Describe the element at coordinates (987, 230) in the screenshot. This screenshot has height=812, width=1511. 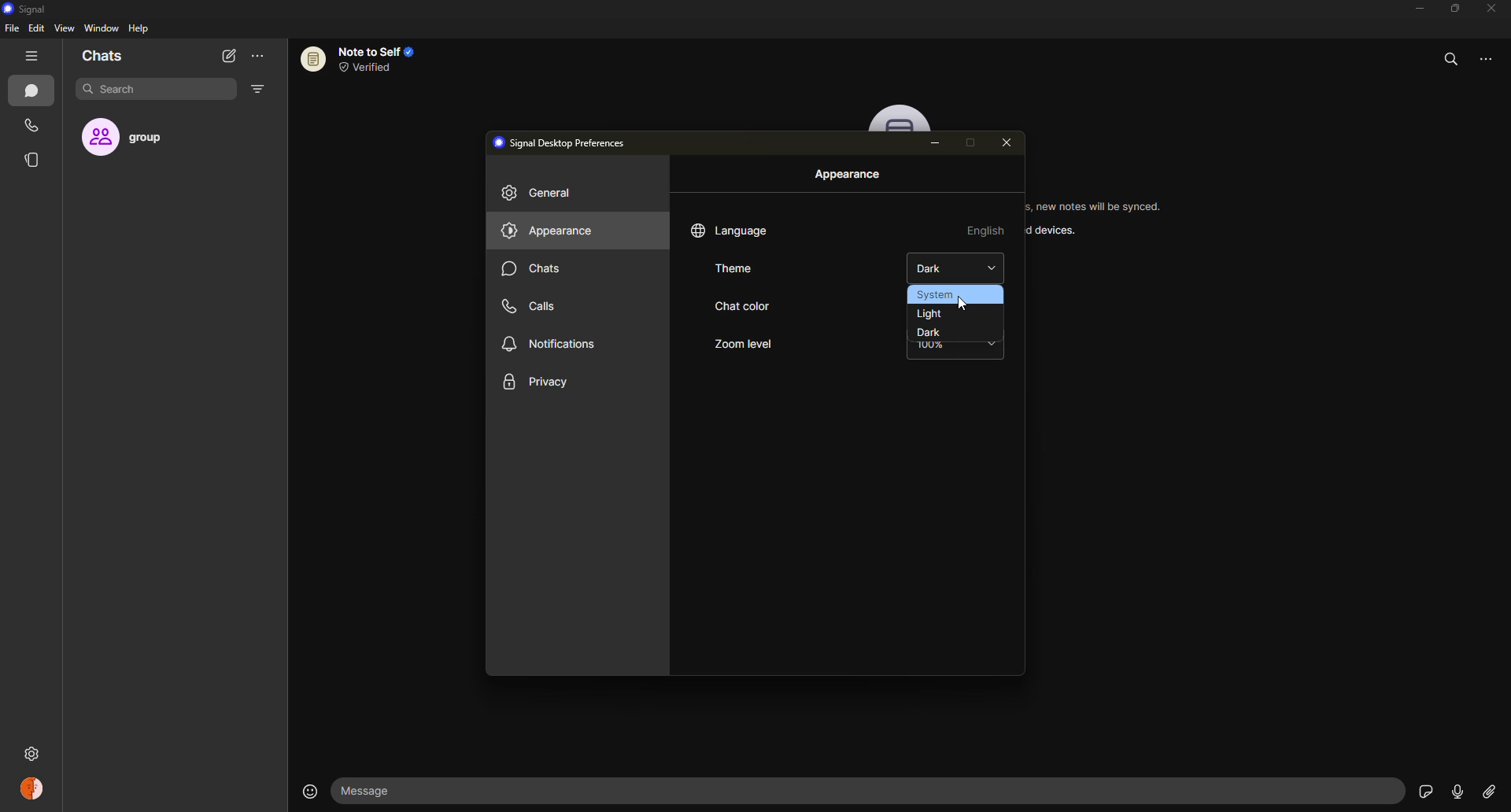
I see `english` at that location.